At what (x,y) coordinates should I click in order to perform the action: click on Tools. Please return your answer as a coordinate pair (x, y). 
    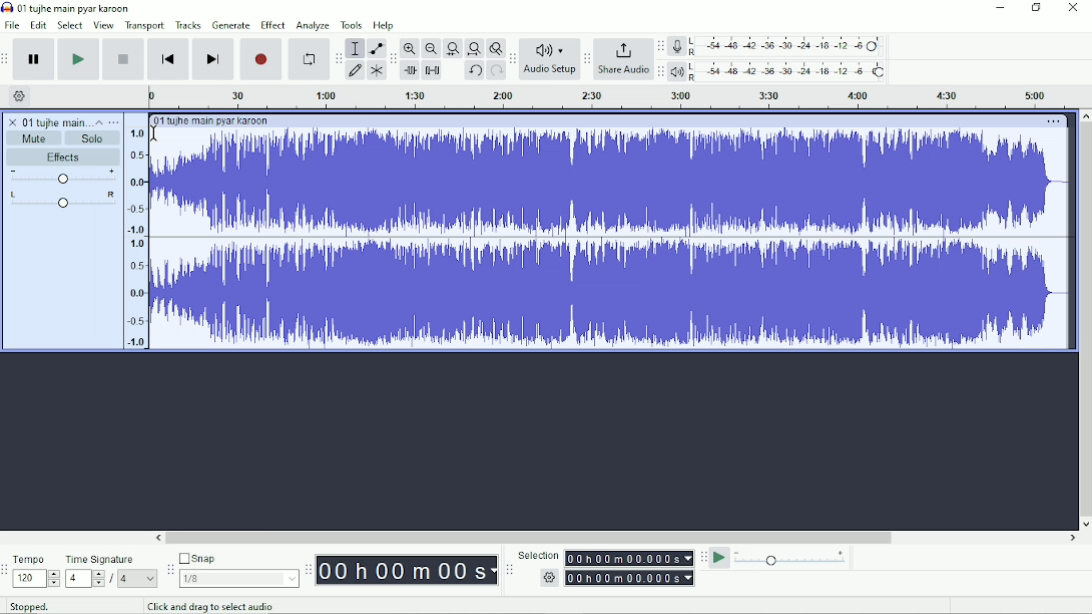
    Looking at the image, I should click on (351, 25).